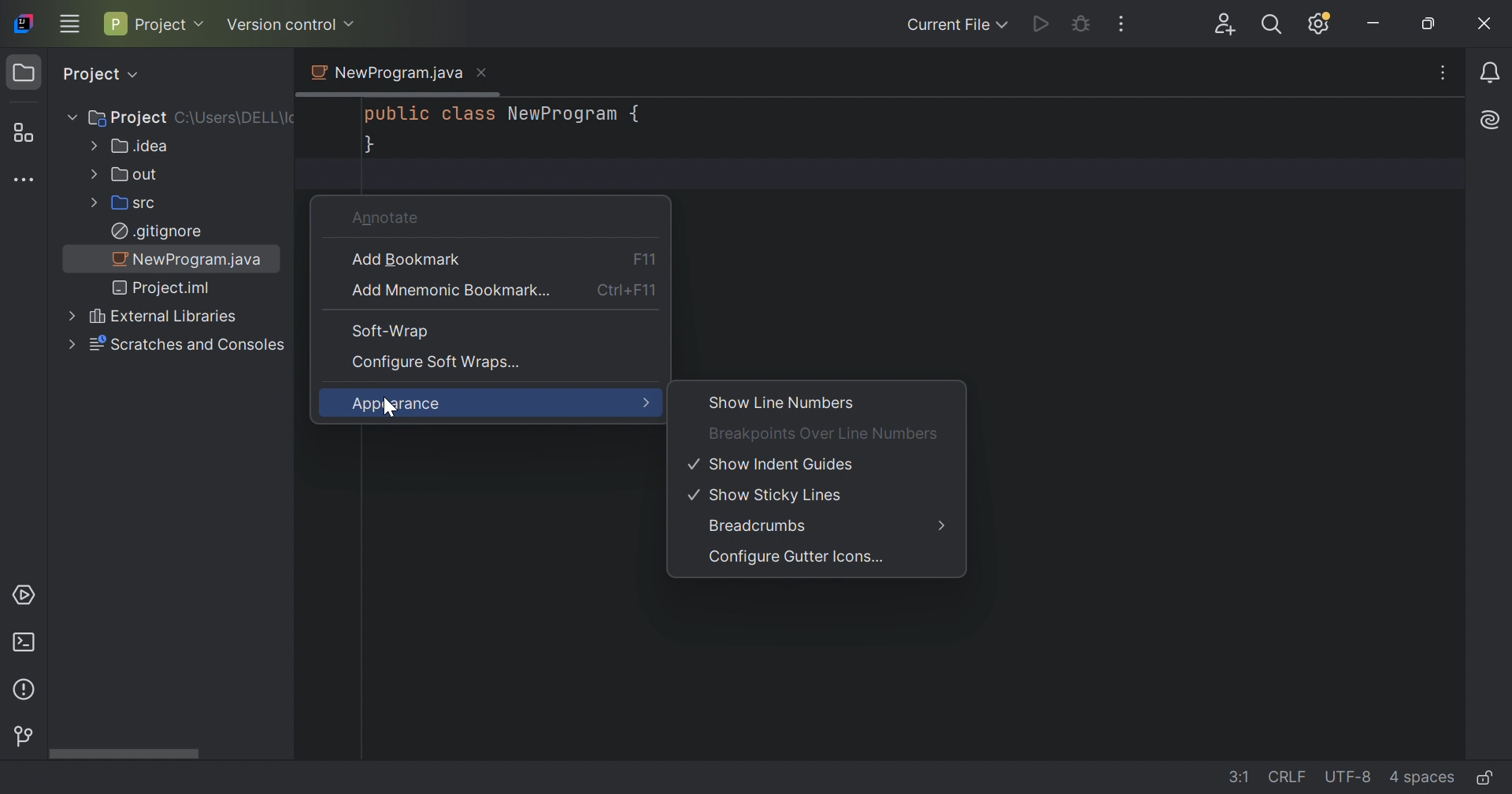  What do you see at coordinates (506, 114) in the screenshot?
I see `public class NewProgram {` at bounding box center [506, 114].